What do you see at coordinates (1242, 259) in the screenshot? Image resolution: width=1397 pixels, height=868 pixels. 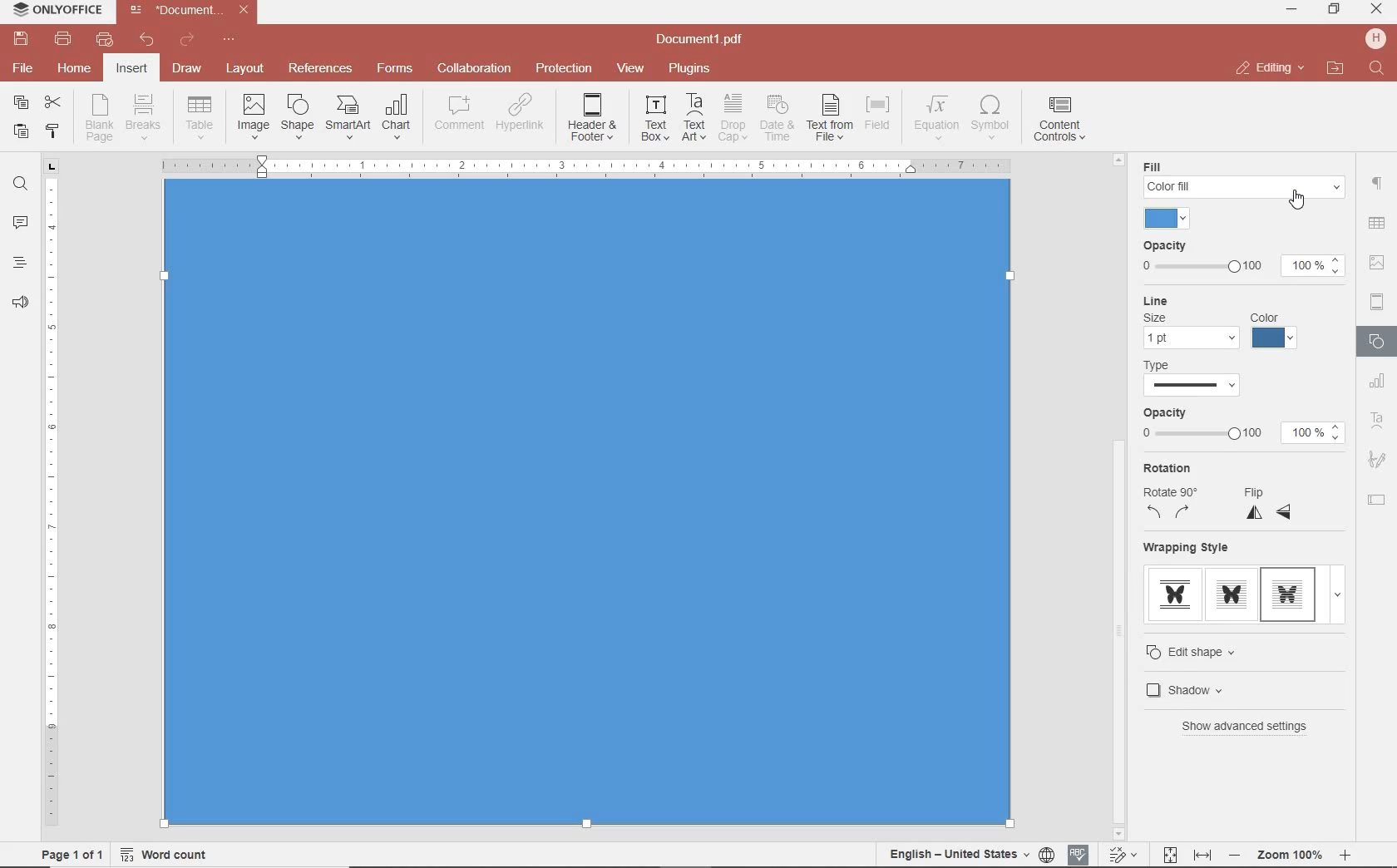 I see `OPACITY SETTINGS` at bounding box center [1242, 259].